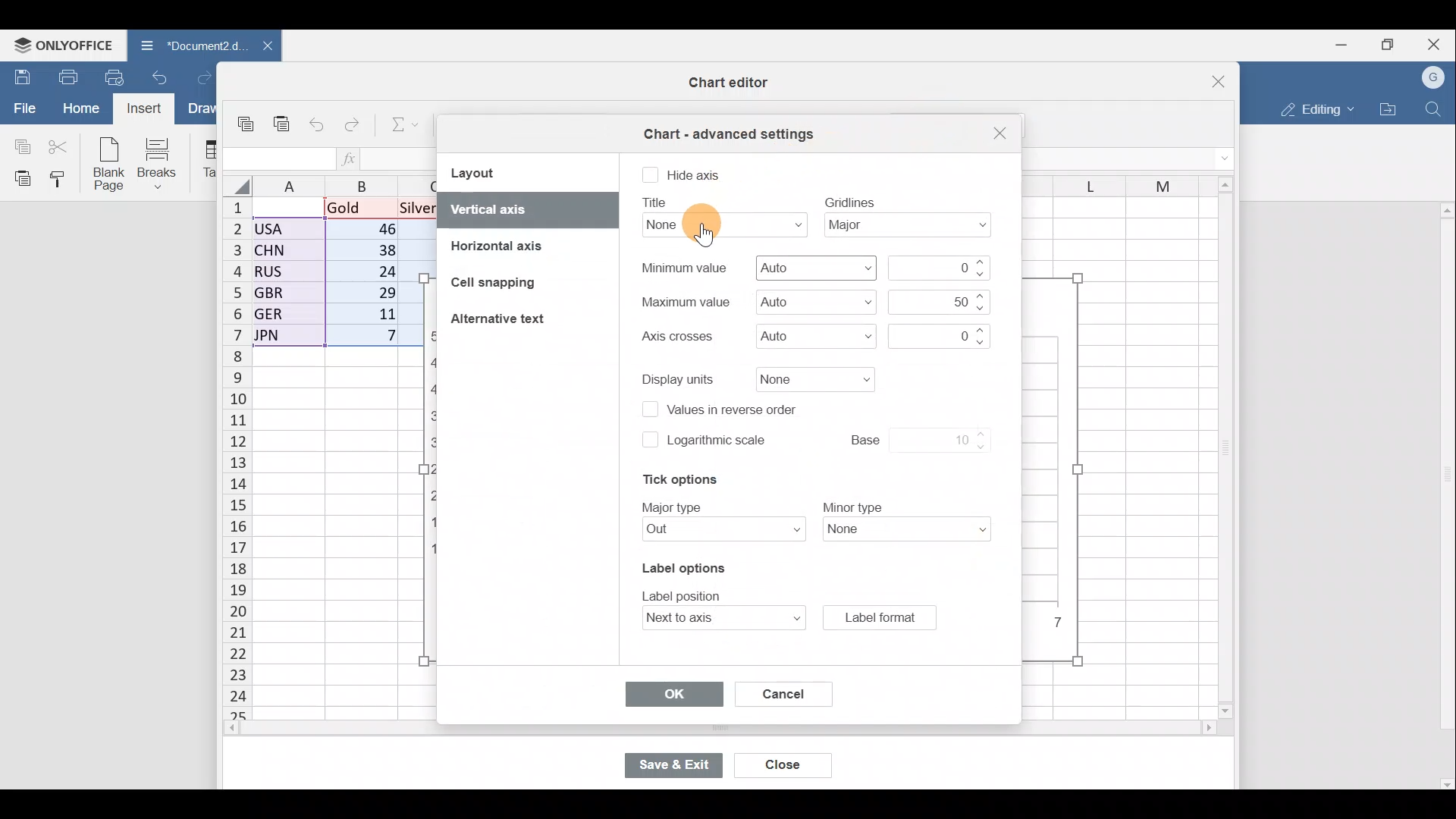 The width and height of the screenshot is (1456, 819). I want to click on Save, so click(19, 75).